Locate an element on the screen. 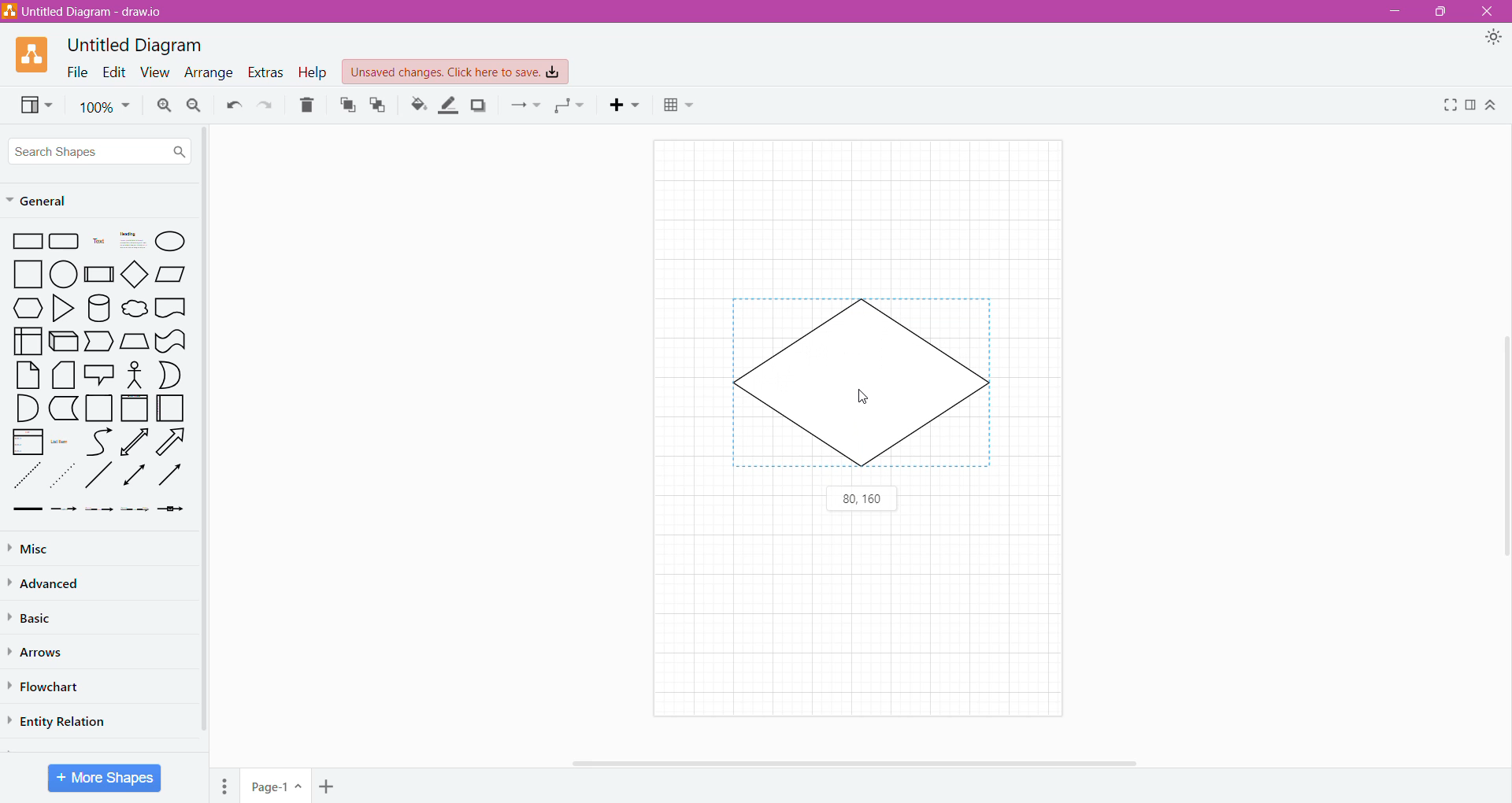 This screenshot has height=803, width=1512. Unsaved Changes. Click here to save is located at coordinates (456, 72).